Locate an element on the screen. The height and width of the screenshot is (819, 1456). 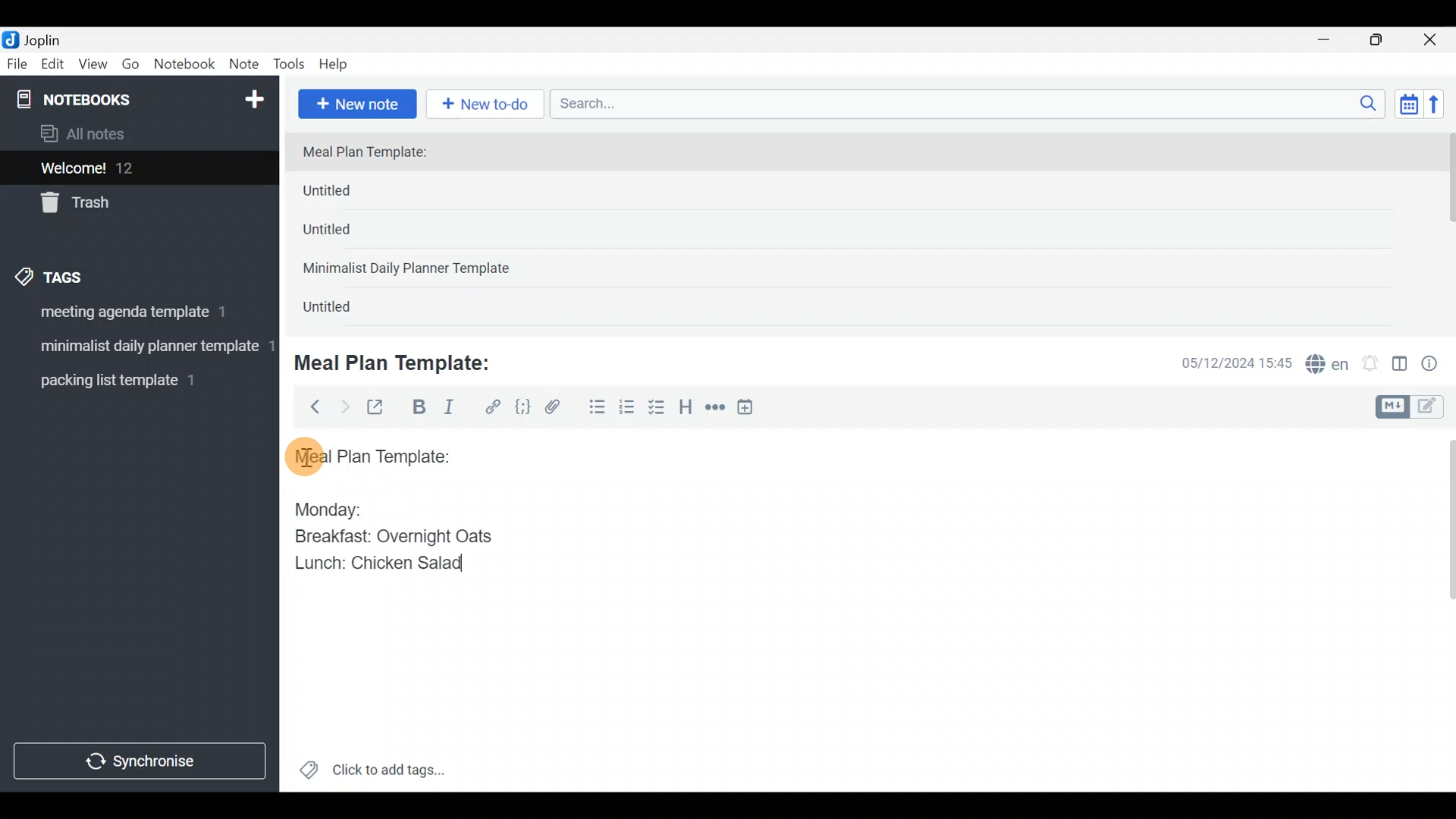
Notebook is located at coordinates (185, 64).